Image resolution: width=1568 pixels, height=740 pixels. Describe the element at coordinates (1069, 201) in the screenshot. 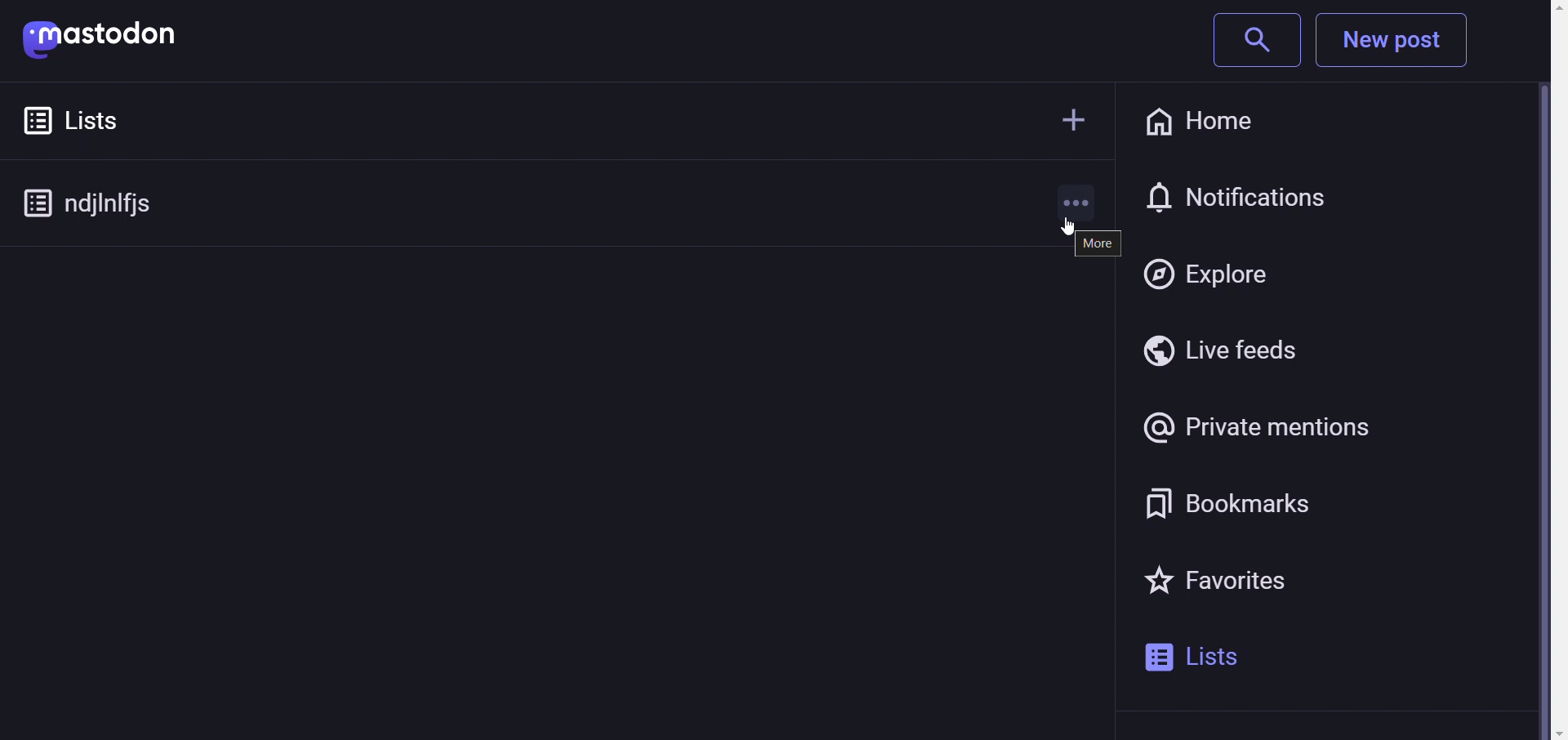

I see `more options` at that location.